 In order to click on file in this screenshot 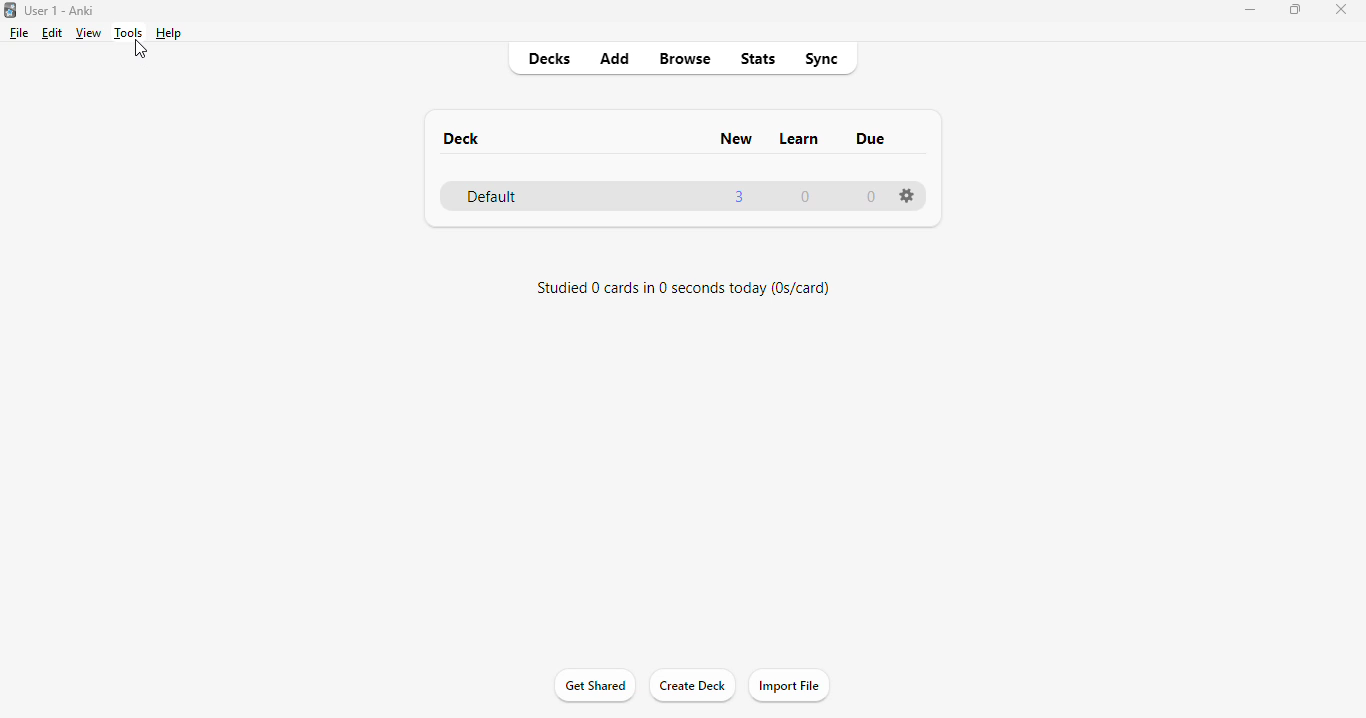, I will do `click(20, 33)`.